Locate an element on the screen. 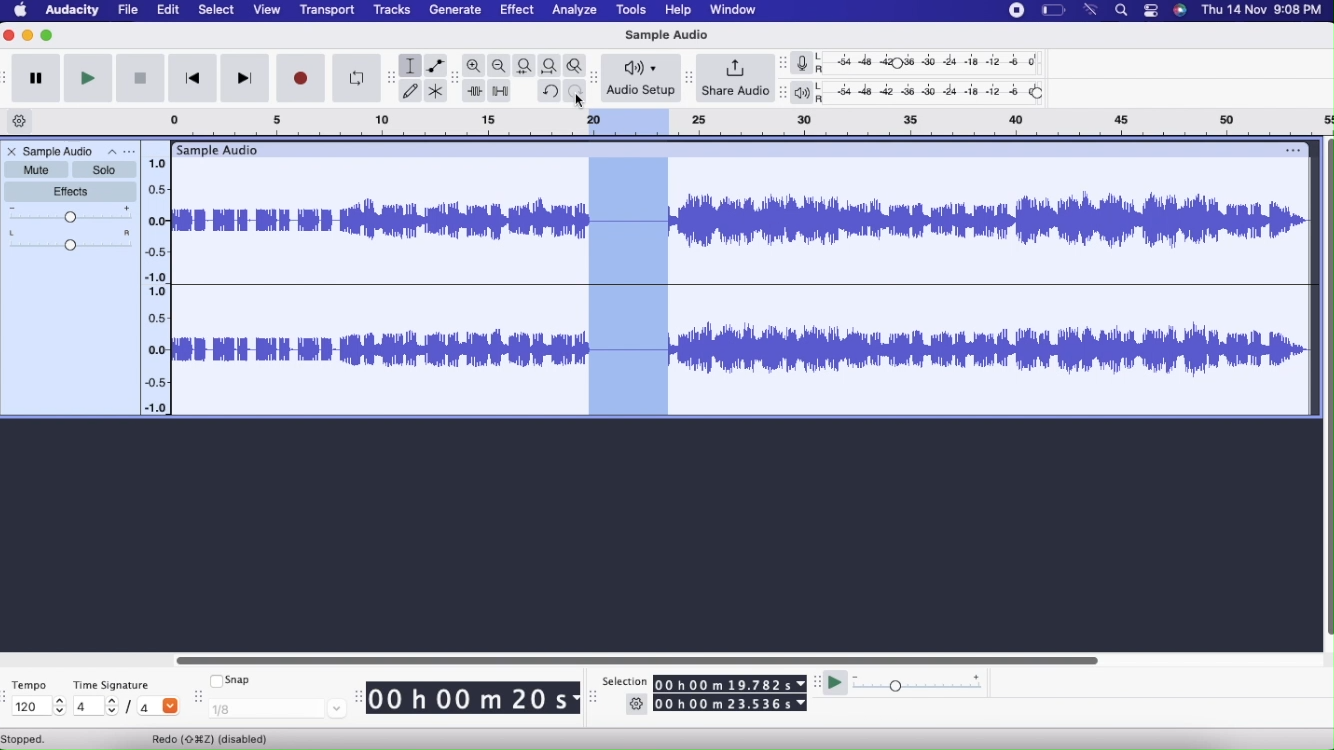 The image size is (1334, 750). Click and drag to define a looping region is located at coordinates (628, 125).